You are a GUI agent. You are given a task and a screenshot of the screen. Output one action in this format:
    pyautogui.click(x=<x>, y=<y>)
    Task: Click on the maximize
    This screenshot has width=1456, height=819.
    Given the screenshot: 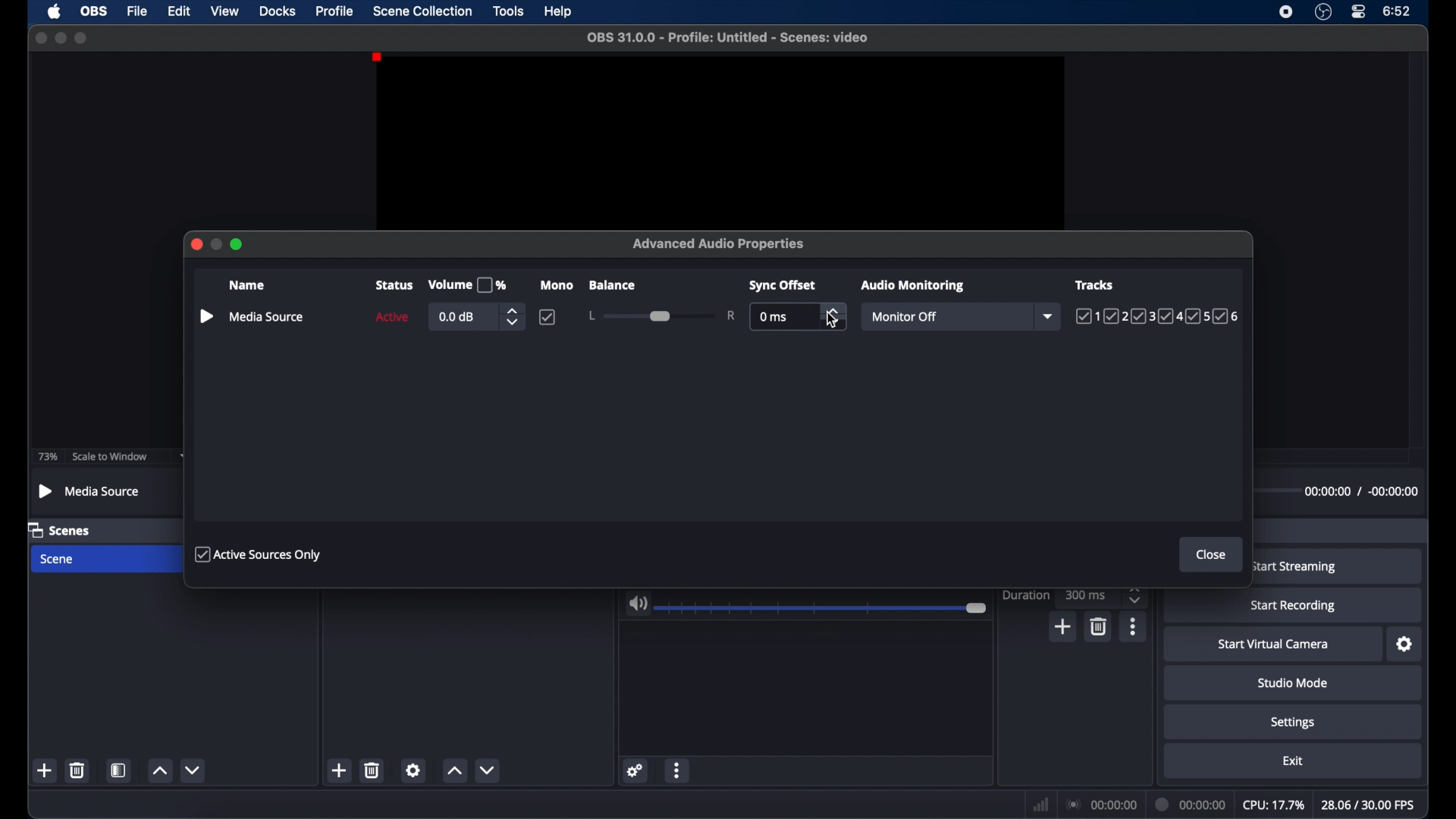 What is the action you would take?
    pyautogui.click(x=82, y=38)
    